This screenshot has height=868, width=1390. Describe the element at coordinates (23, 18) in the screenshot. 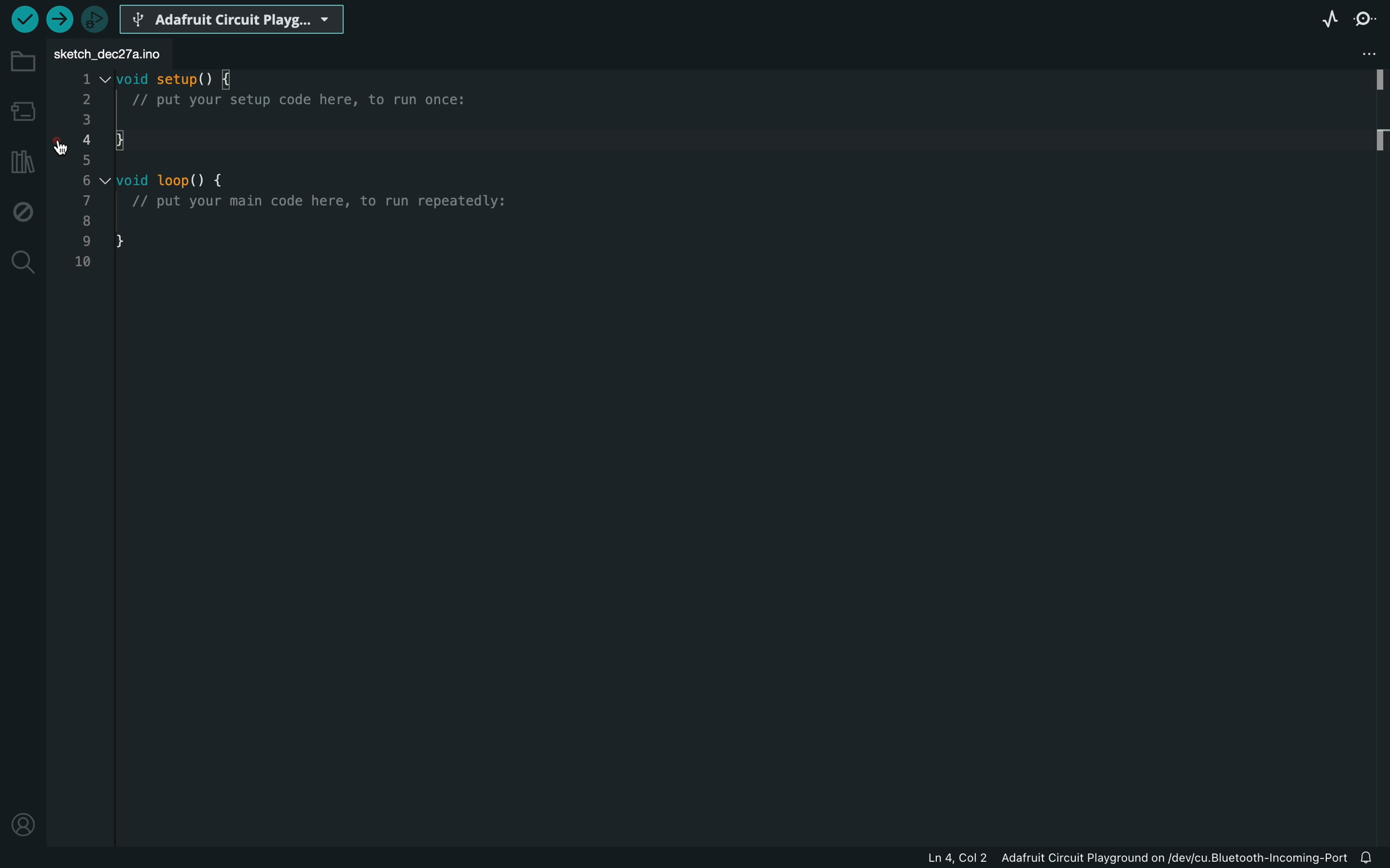

I see `verify` at that location.